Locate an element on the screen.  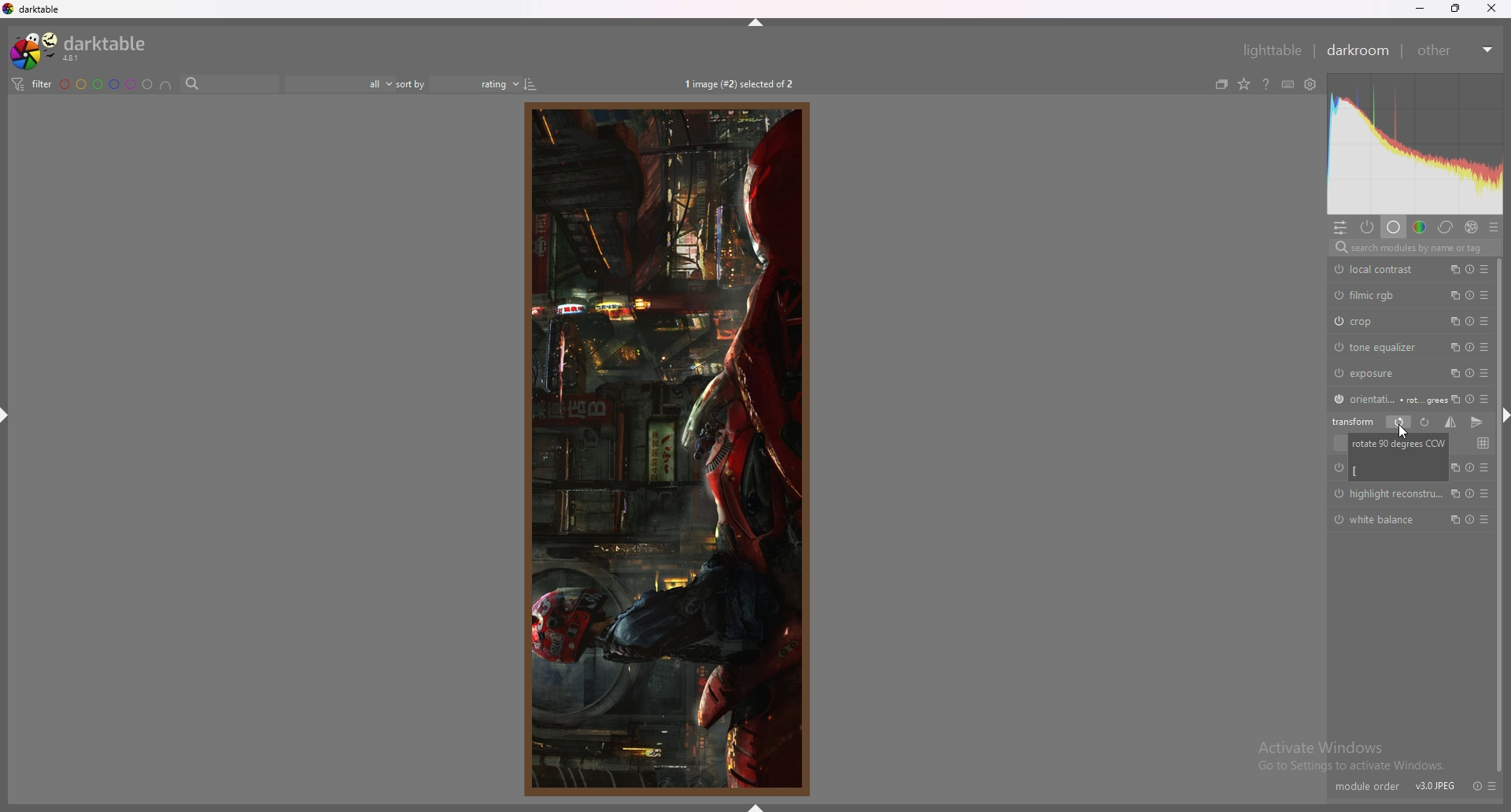
reset is located at coordinates (1469, 493).